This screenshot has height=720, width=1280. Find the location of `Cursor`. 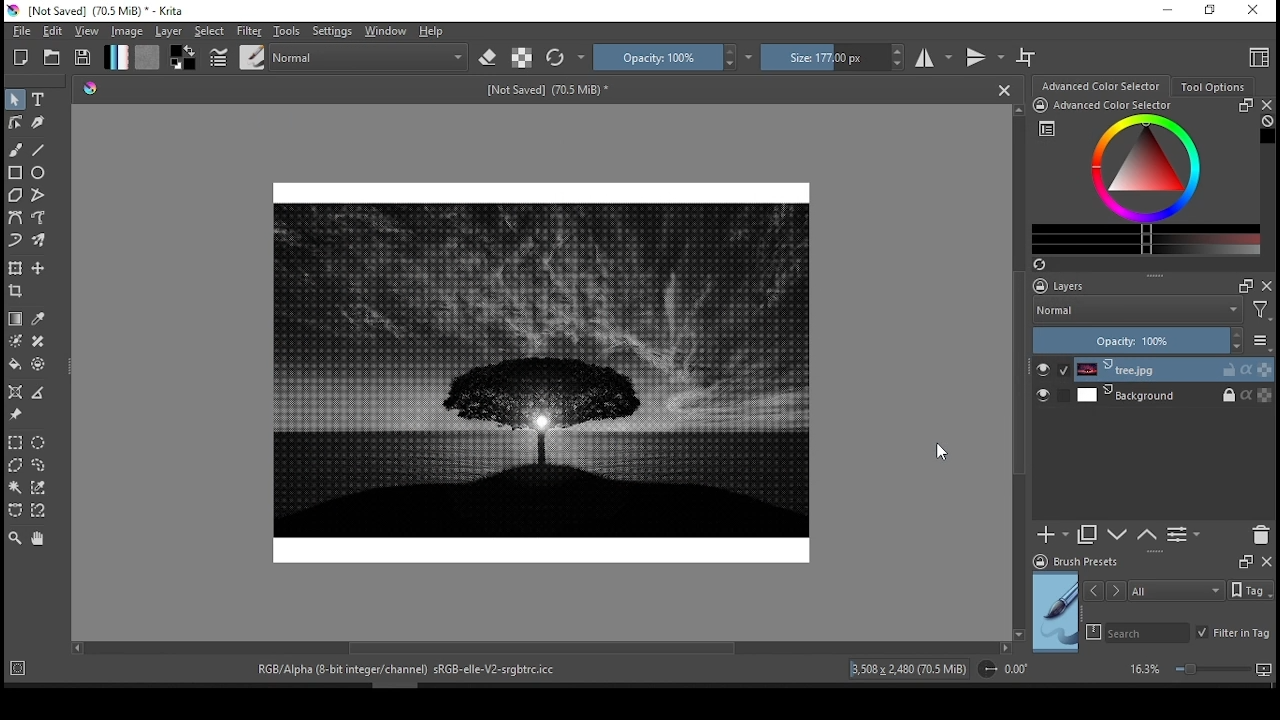

Cursor is located at coordinates (942, 452).